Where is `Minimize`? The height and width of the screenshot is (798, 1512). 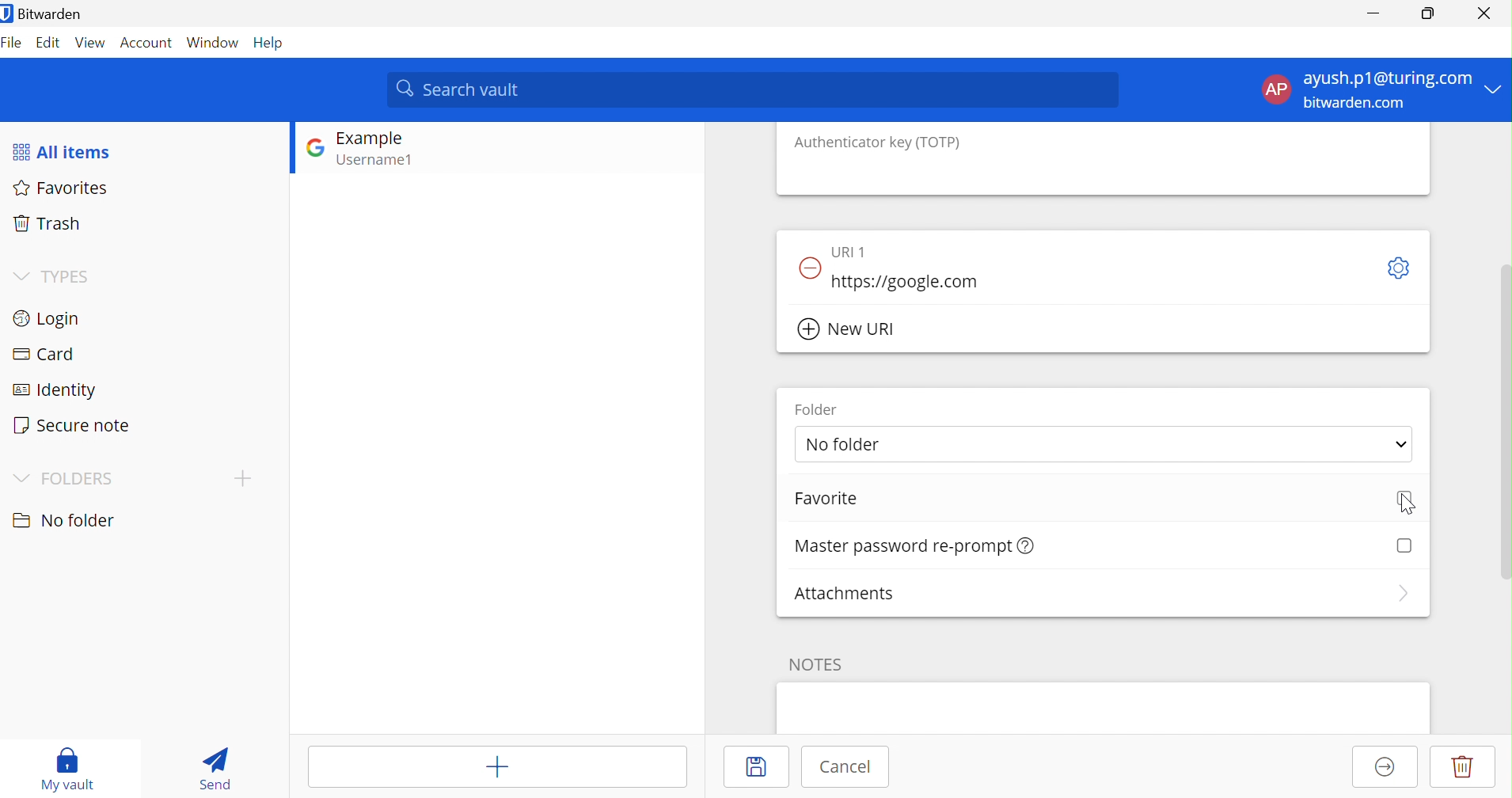 Minimize is located at coordinates (1370, 13).